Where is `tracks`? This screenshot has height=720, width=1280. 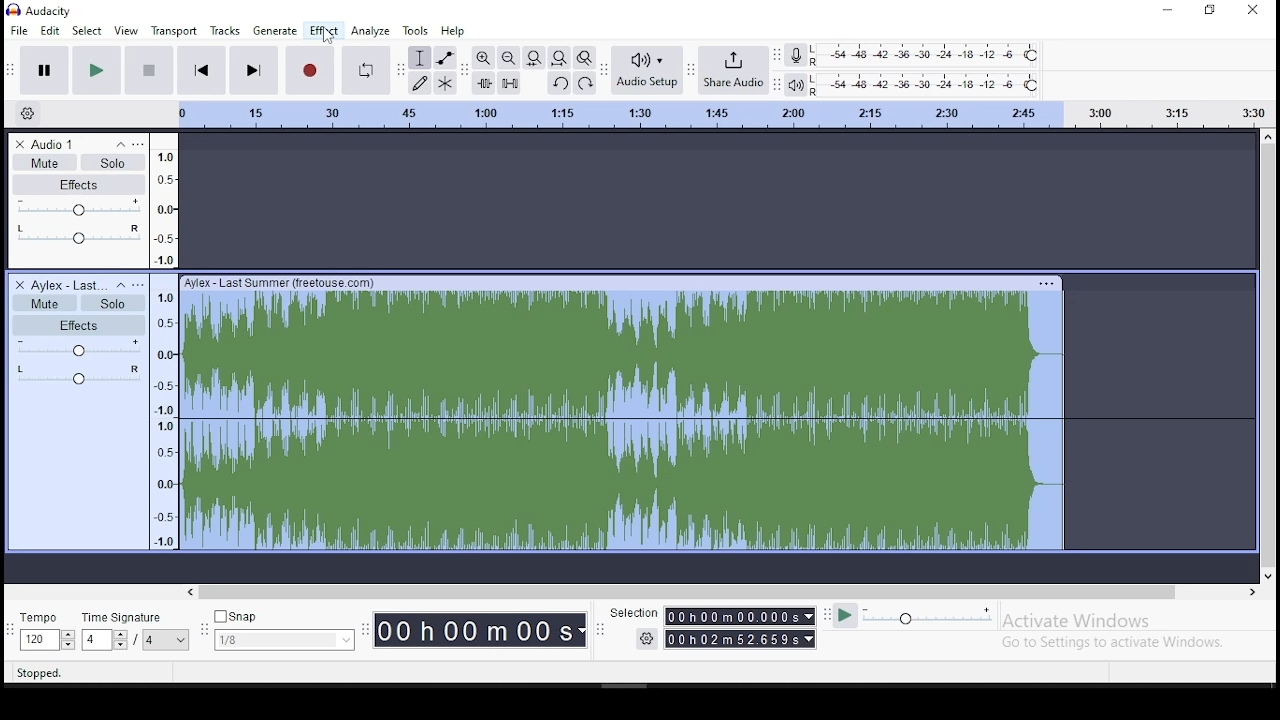
tracks is located at coordinates (225, 30).